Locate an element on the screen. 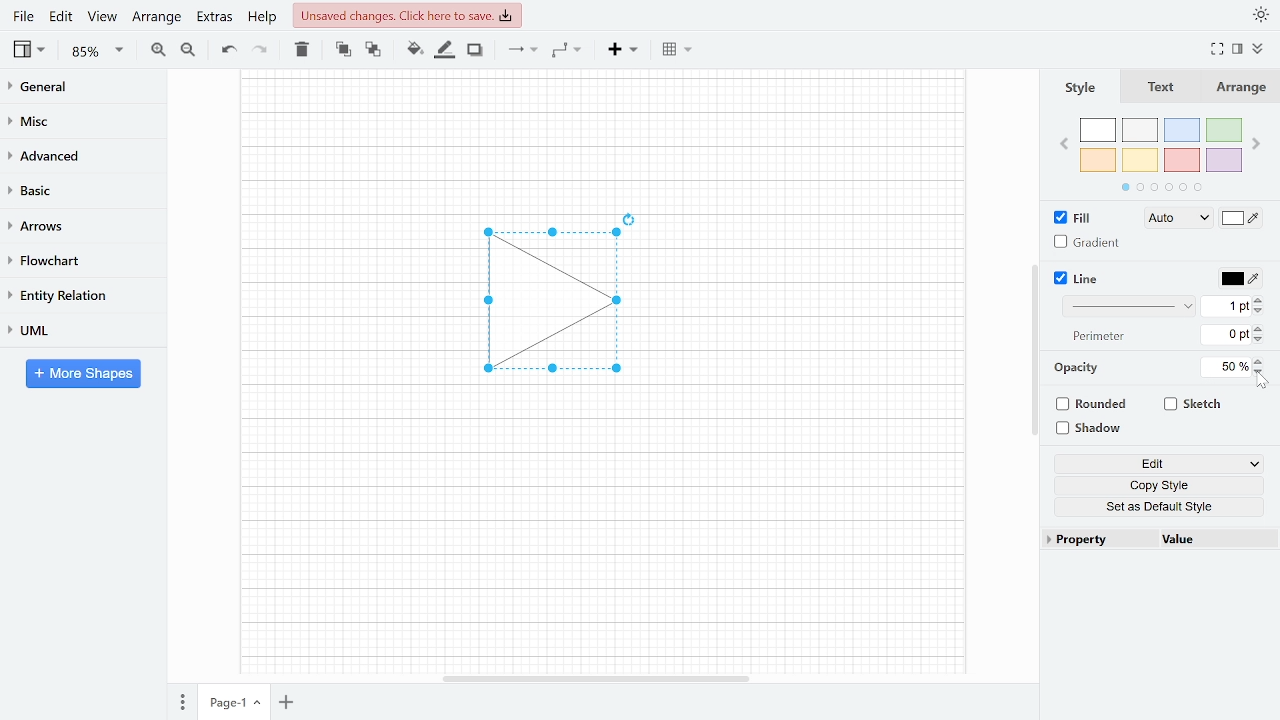  General is located at coordinates (76, 89).